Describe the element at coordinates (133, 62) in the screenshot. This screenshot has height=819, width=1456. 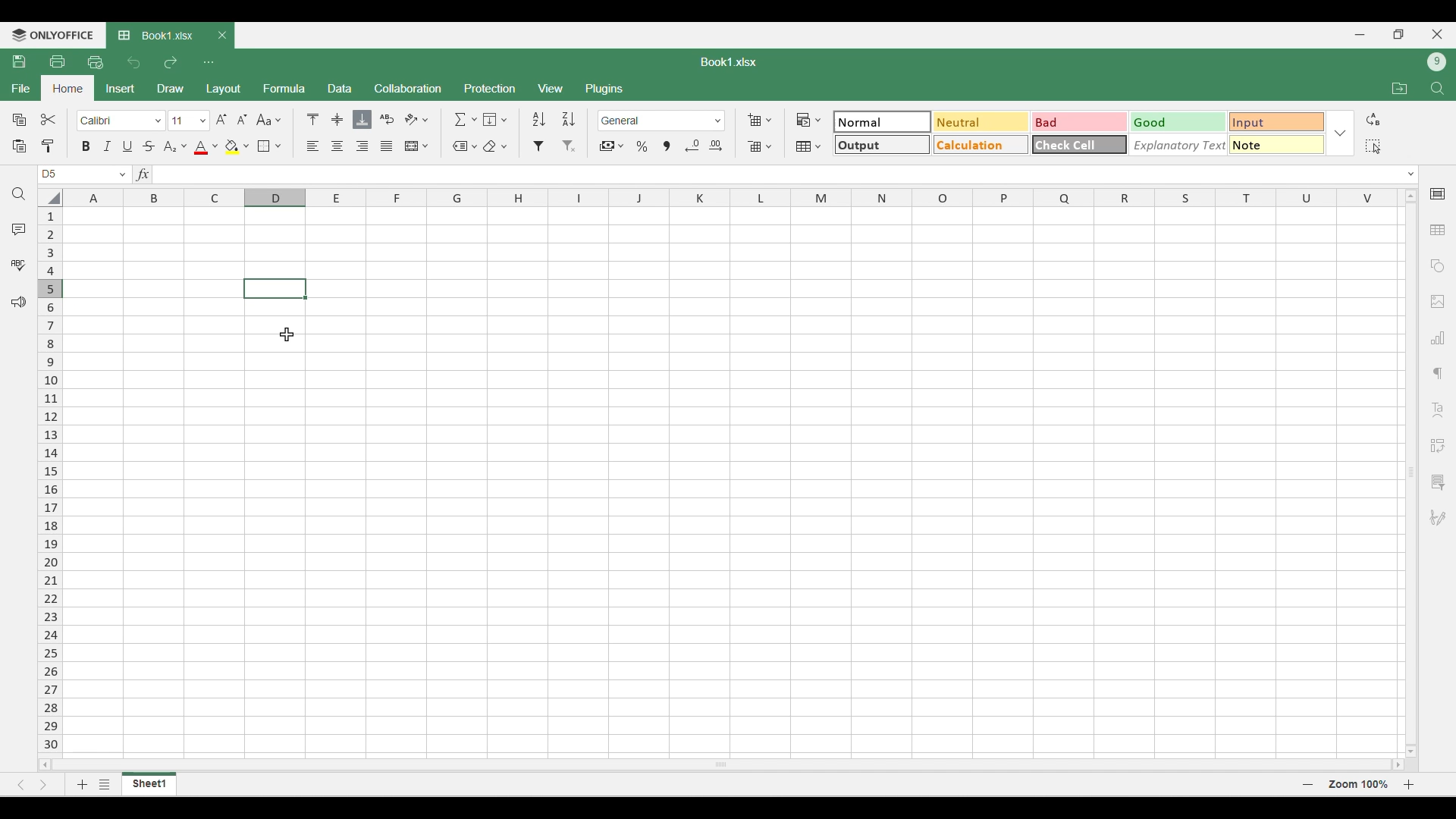
I see `Undo` at that location.